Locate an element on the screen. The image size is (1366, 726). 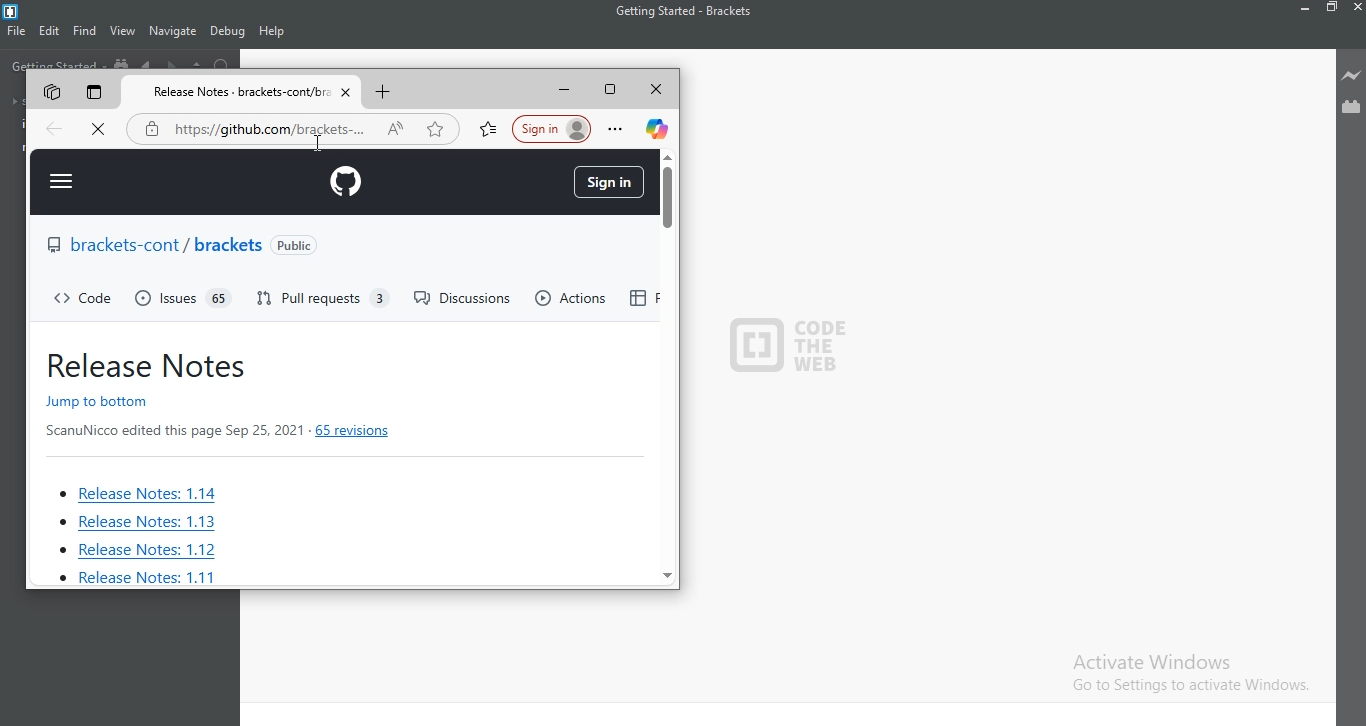
action is located at coordinates (572, 298).